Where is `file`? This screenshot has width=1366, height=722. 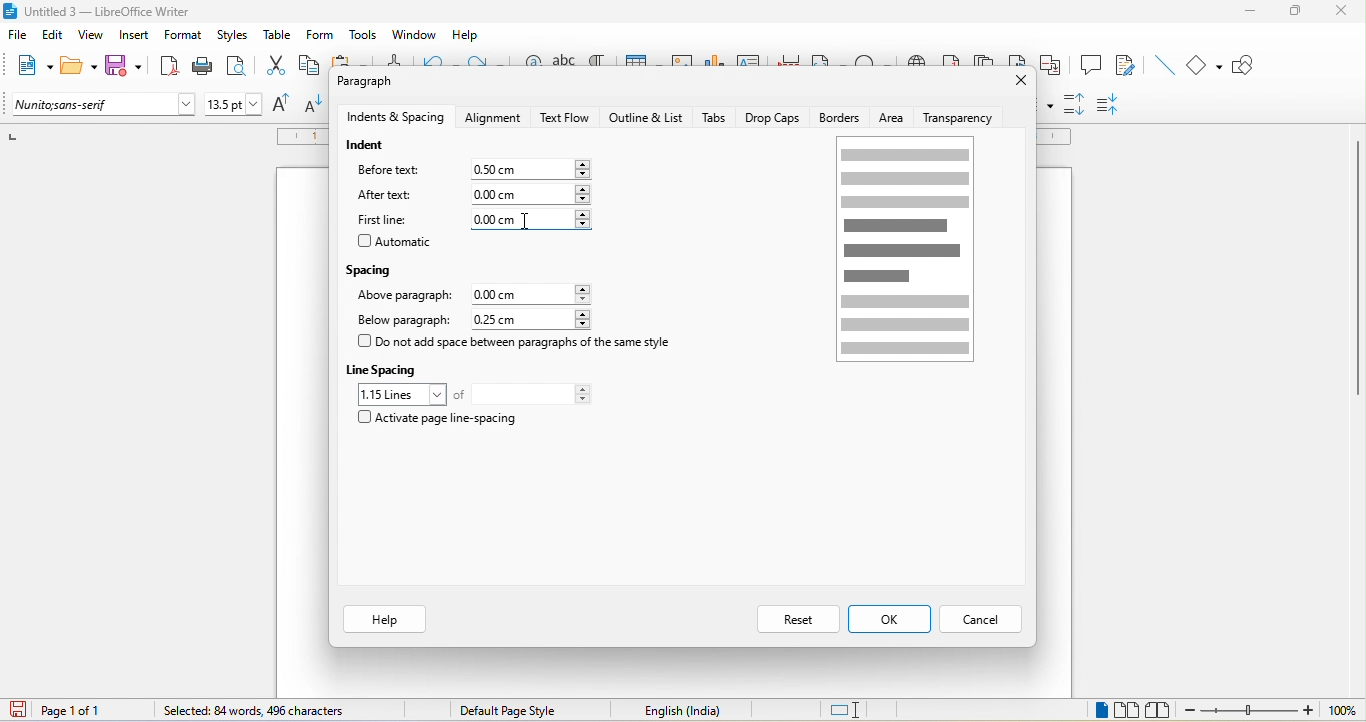 file is located at coordinates (21, 36).